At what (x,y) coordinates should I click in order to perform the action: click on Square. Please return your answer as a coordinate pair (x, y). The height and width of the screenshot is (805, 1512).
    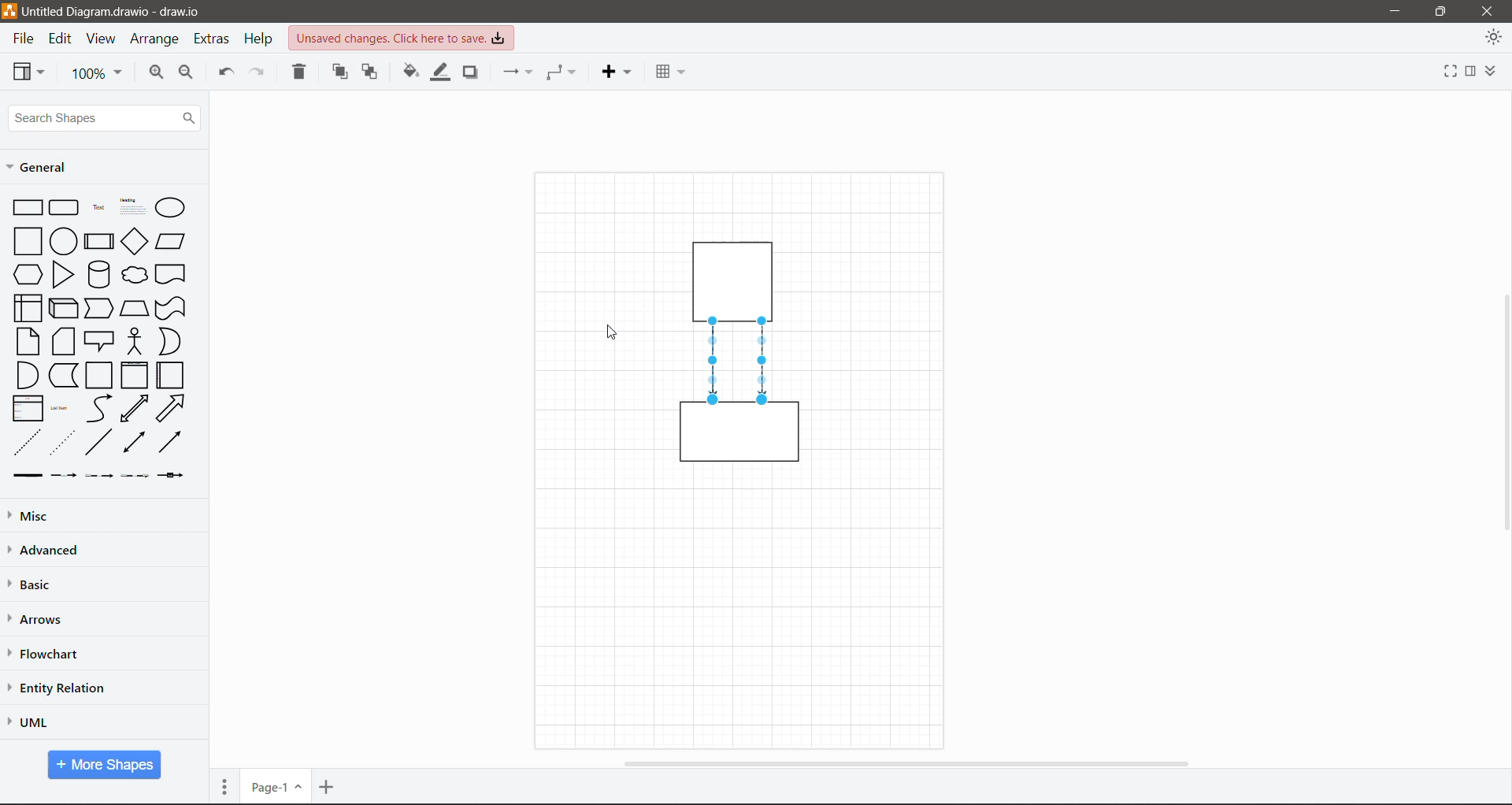
    Looking at the image, I should click on (26, 240).